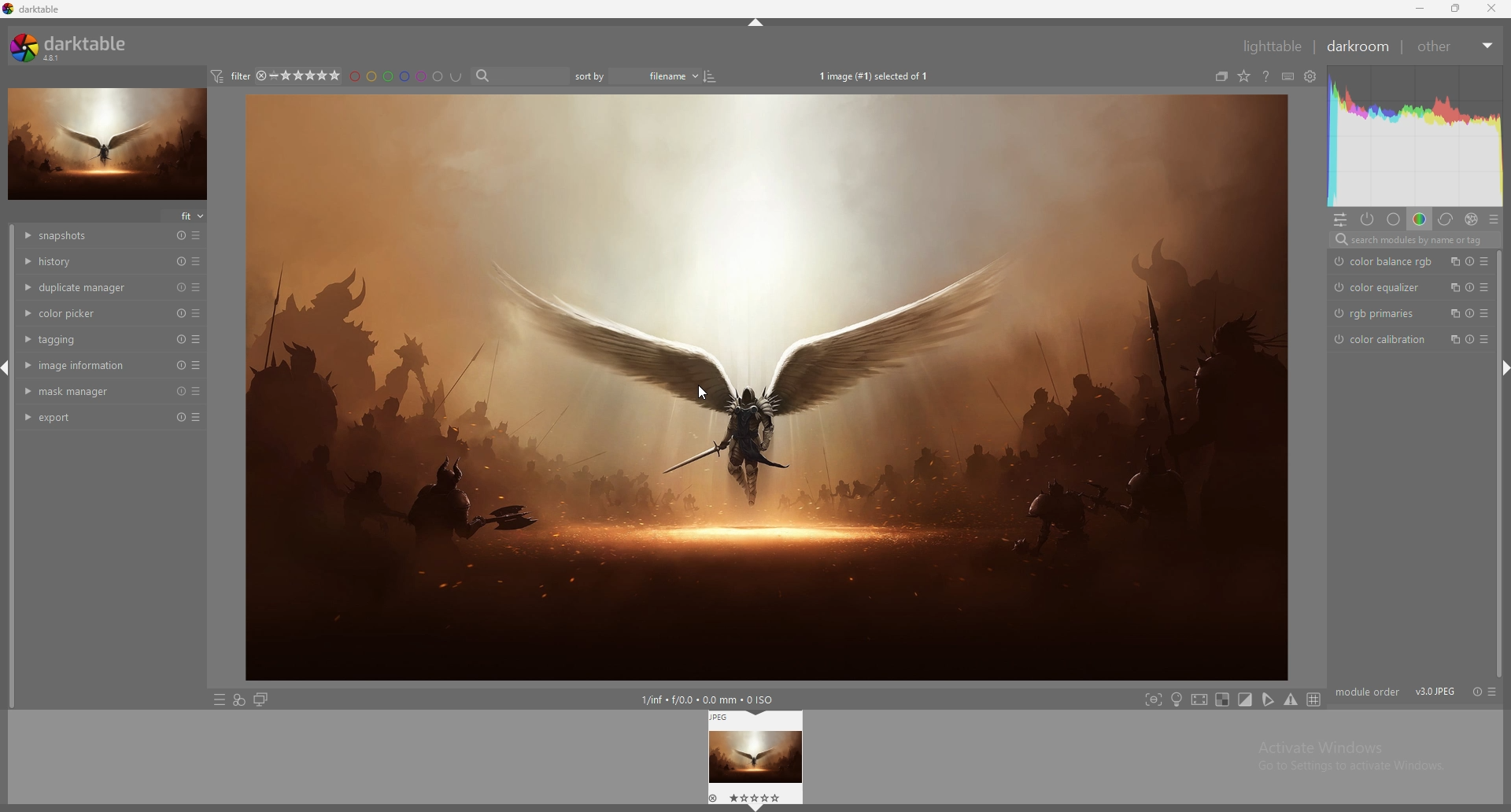 The image size is (1511, 812). What do you see at coordinates (1246, 699) in the screenshot?
I see `toggle clipping indication` at bounding box center [1246, 699].